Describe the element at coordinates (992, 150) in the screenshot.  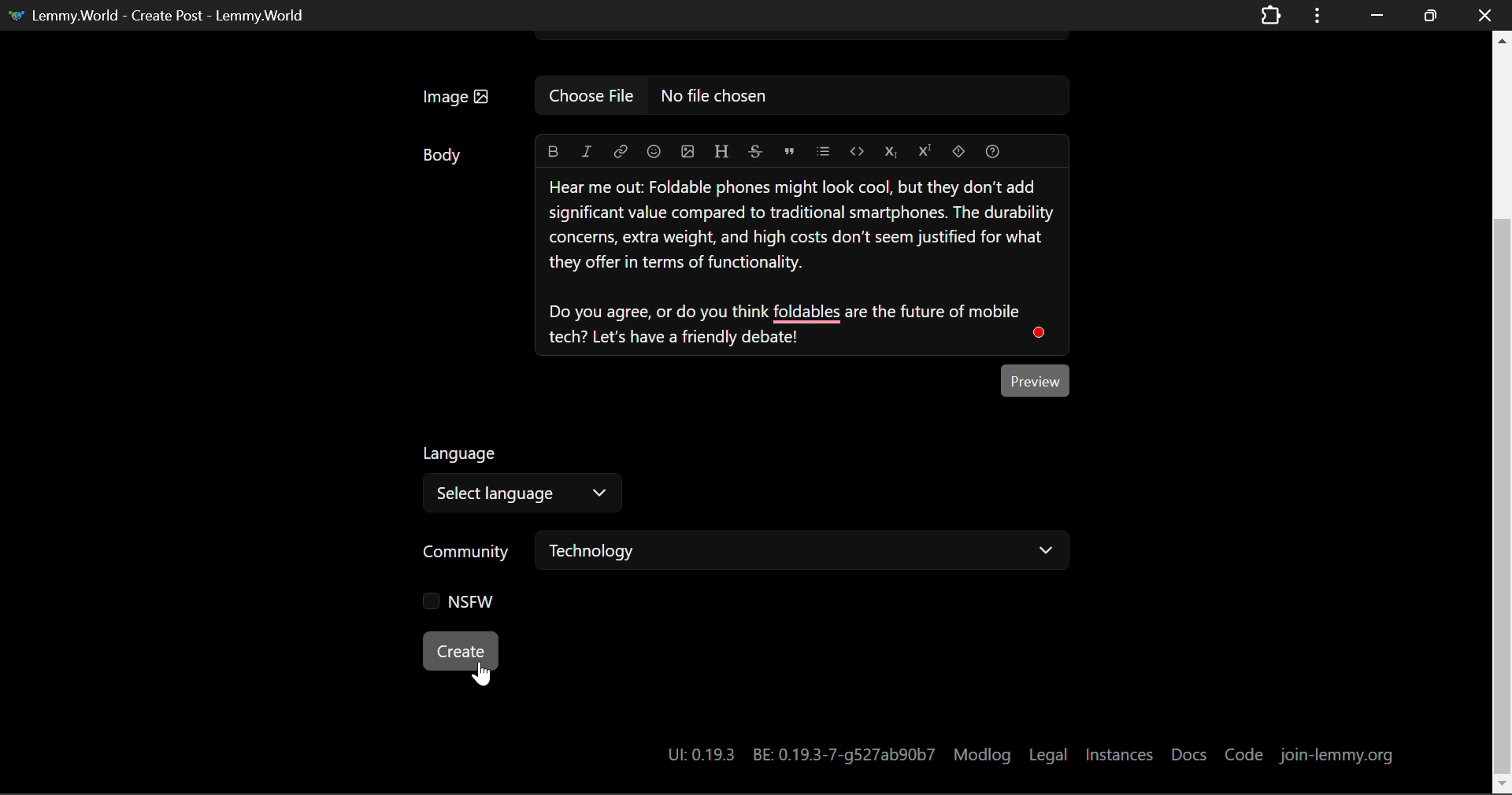
I see `formatting help` at that location.